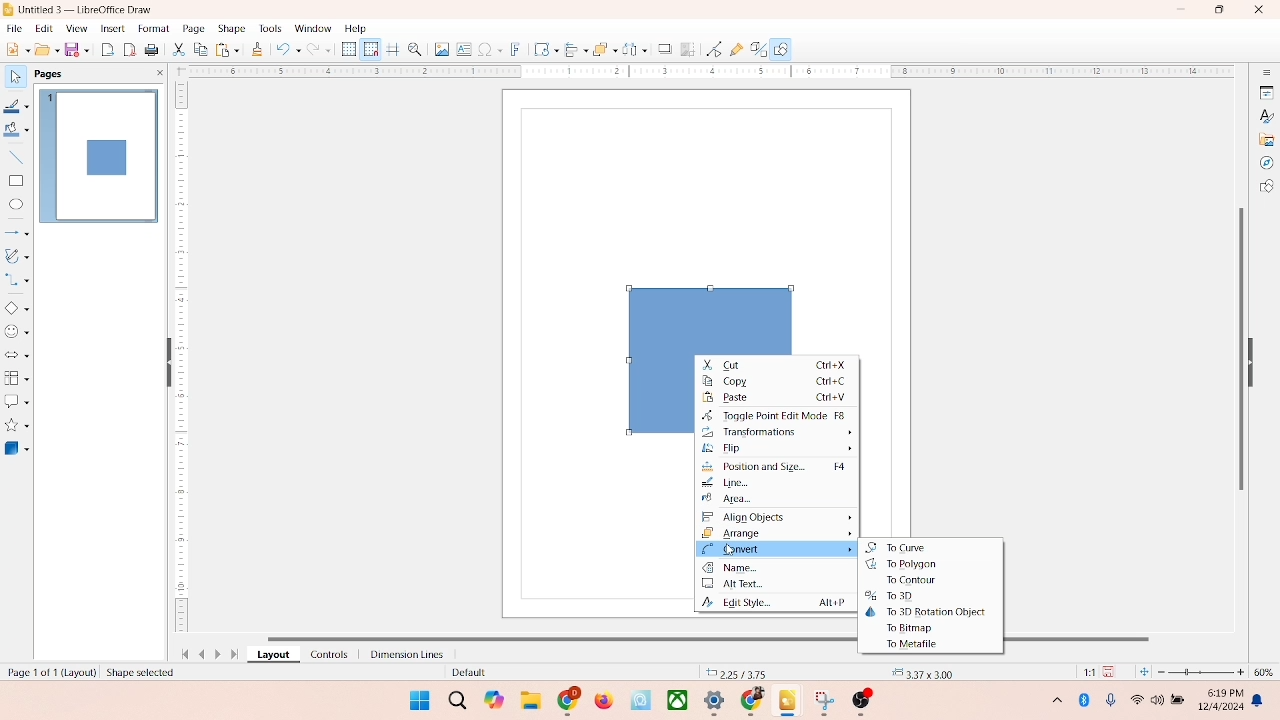  I want to click on cursor, so click(734, 551).